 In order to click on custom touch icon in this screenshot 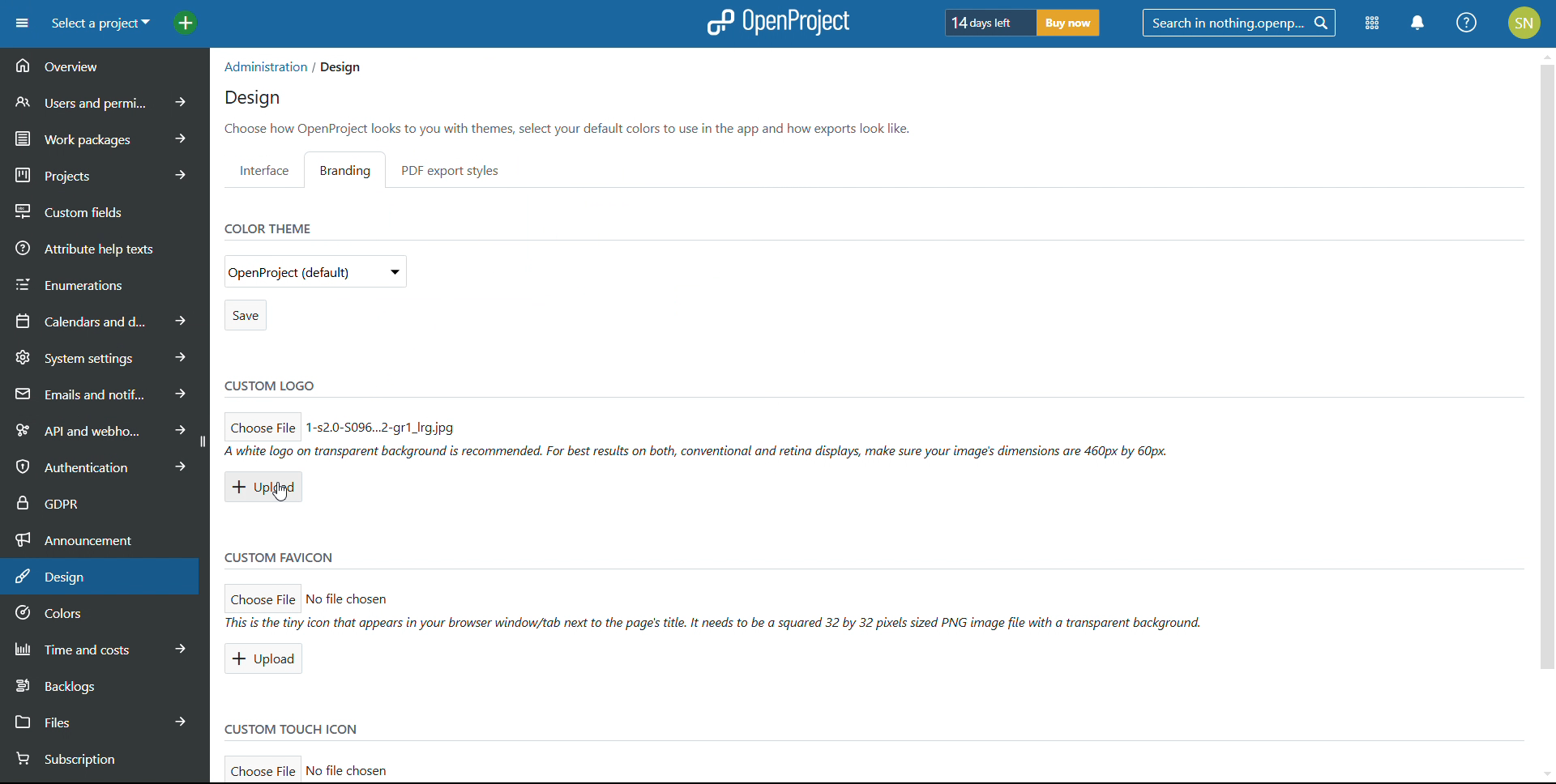, I will do `click(294, 730)`.